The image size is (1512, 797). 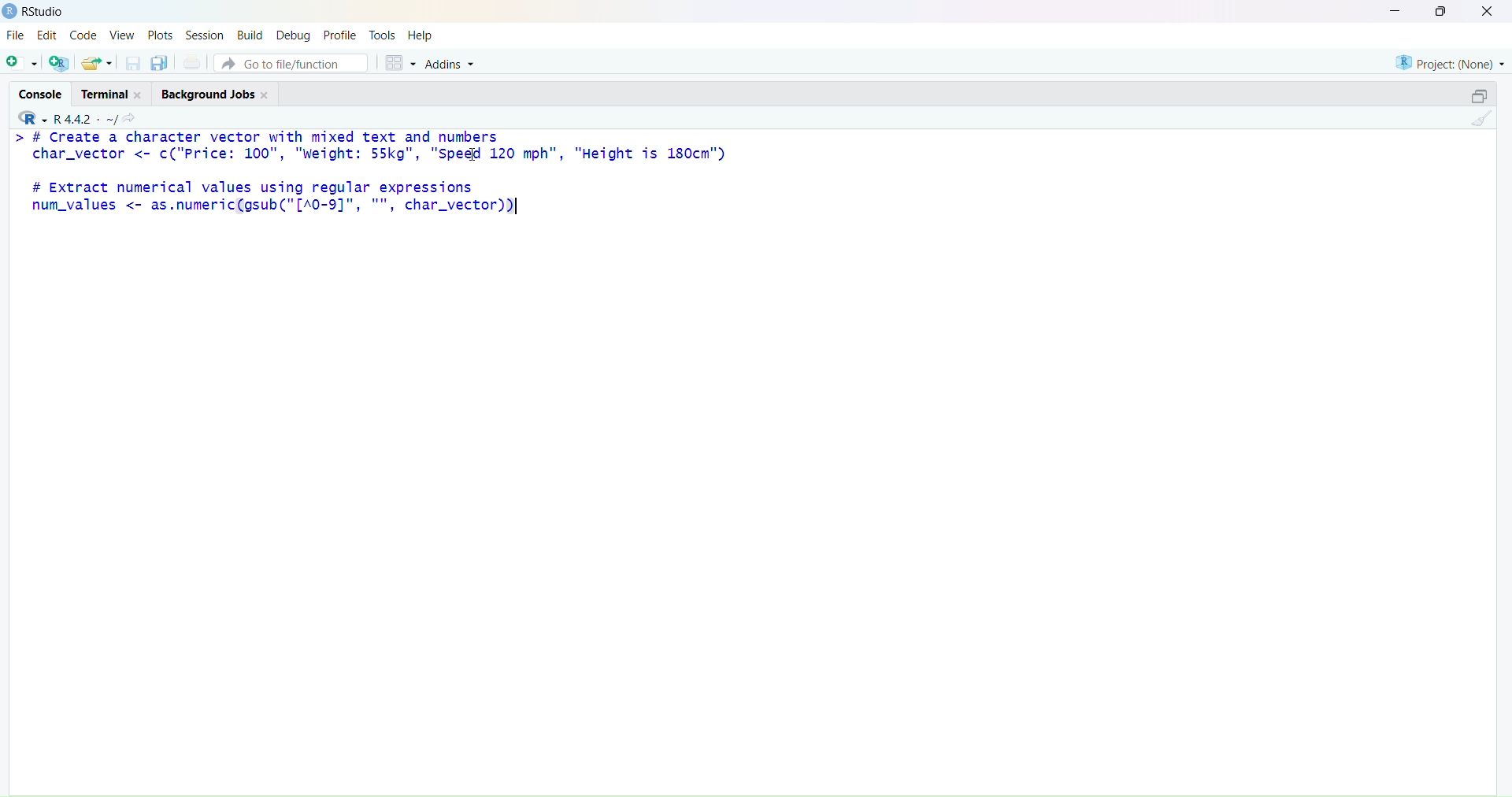 I want to click on R, so click(x=31, y=118).